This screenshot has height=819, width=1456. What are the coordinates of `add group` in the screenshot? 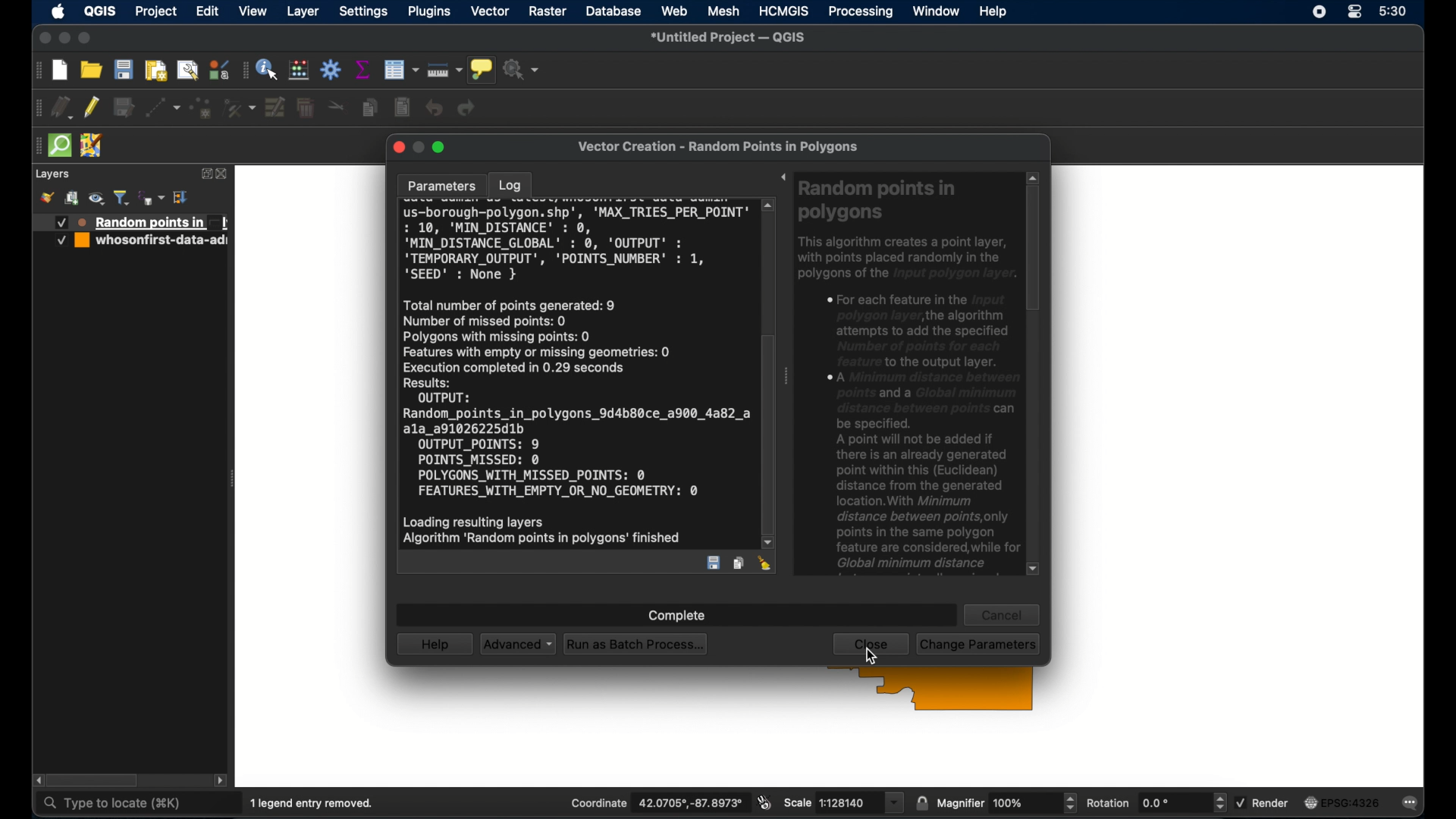 It's located at (73, 198).